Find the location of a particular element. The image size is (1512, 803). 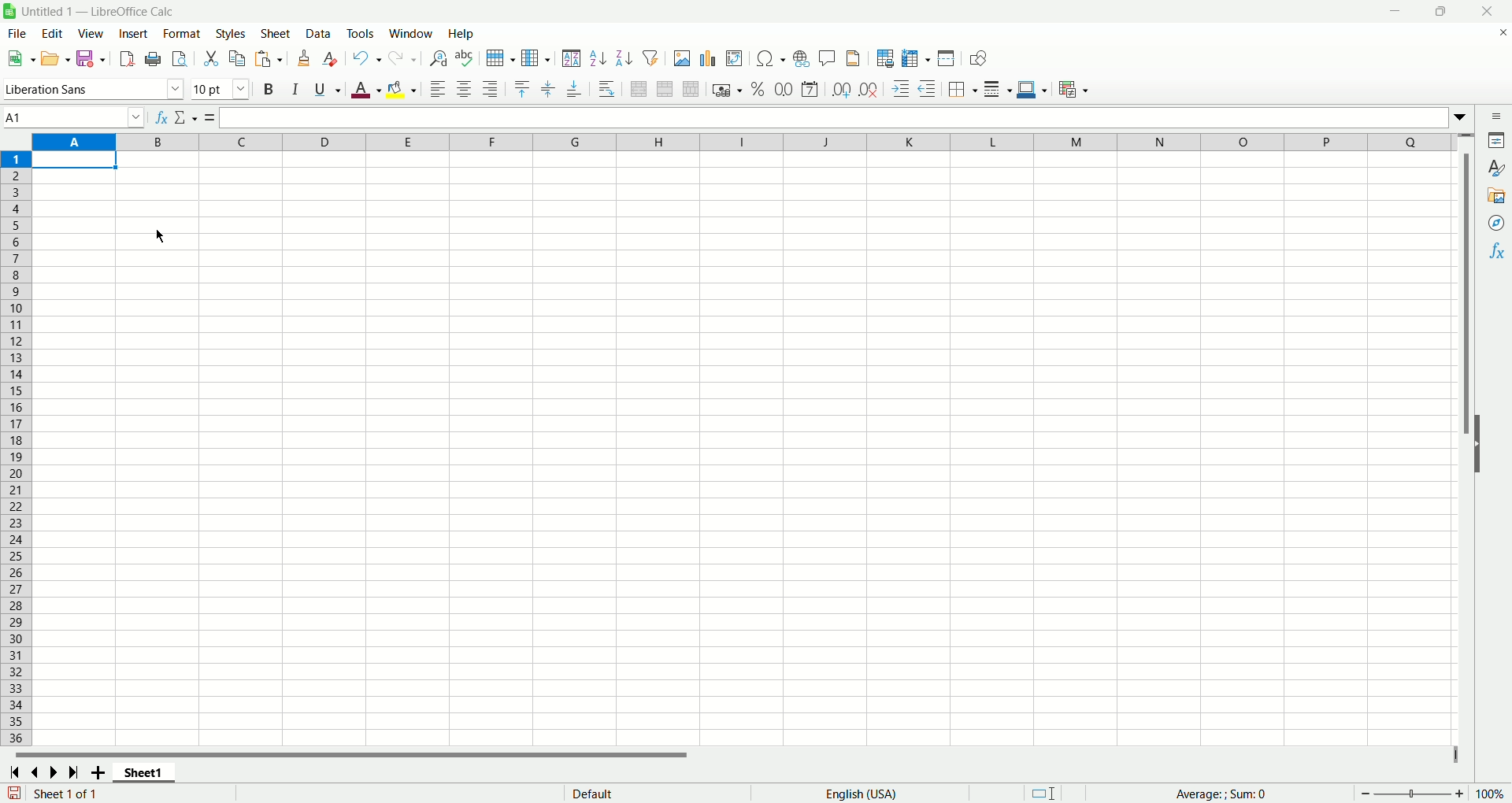

window is located at coordinates (409, 34).